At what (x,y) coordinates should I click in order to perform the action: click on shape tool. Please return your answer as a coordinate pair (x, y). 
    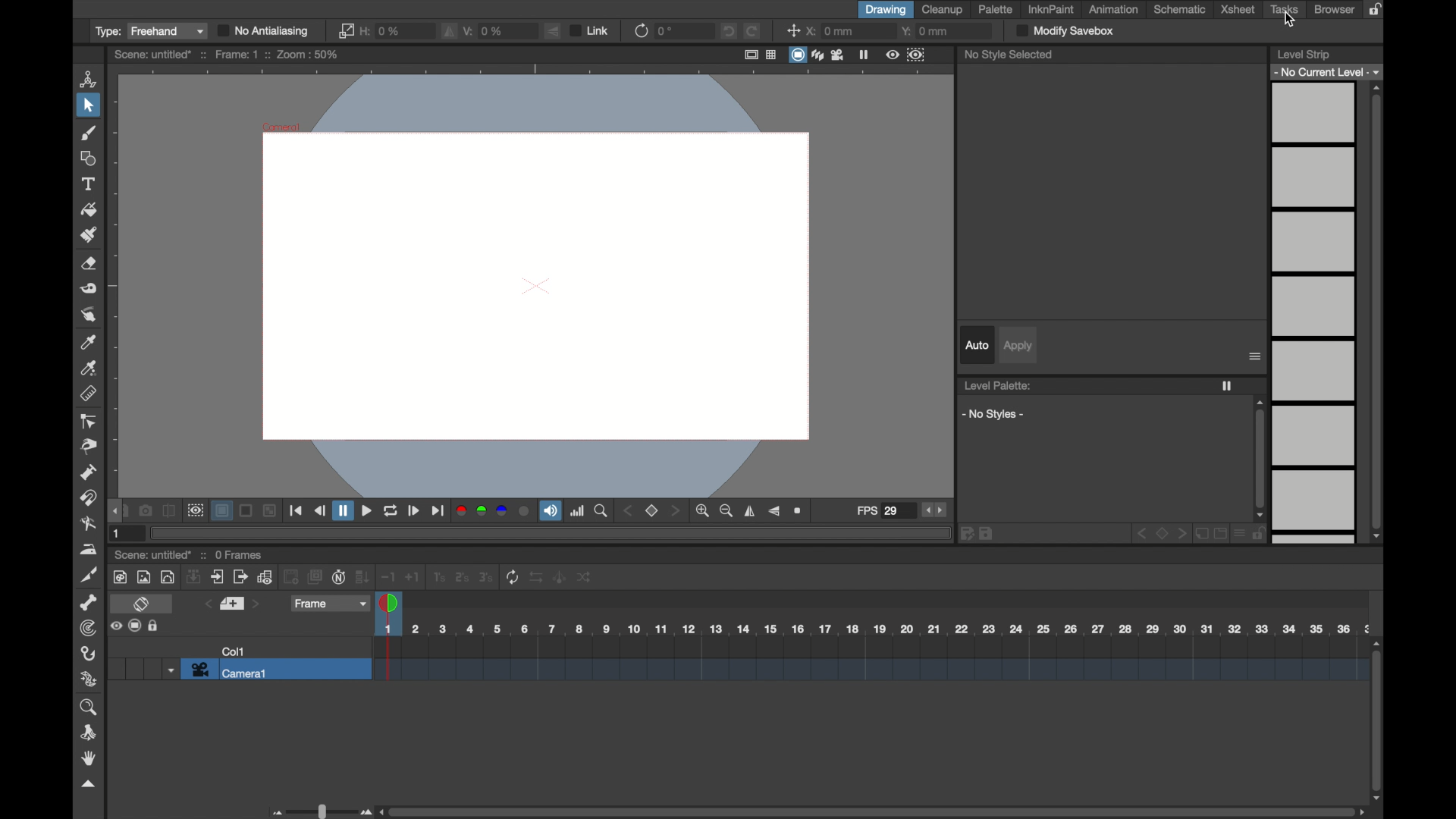
    Looking at the image, I should click on (89, 158).